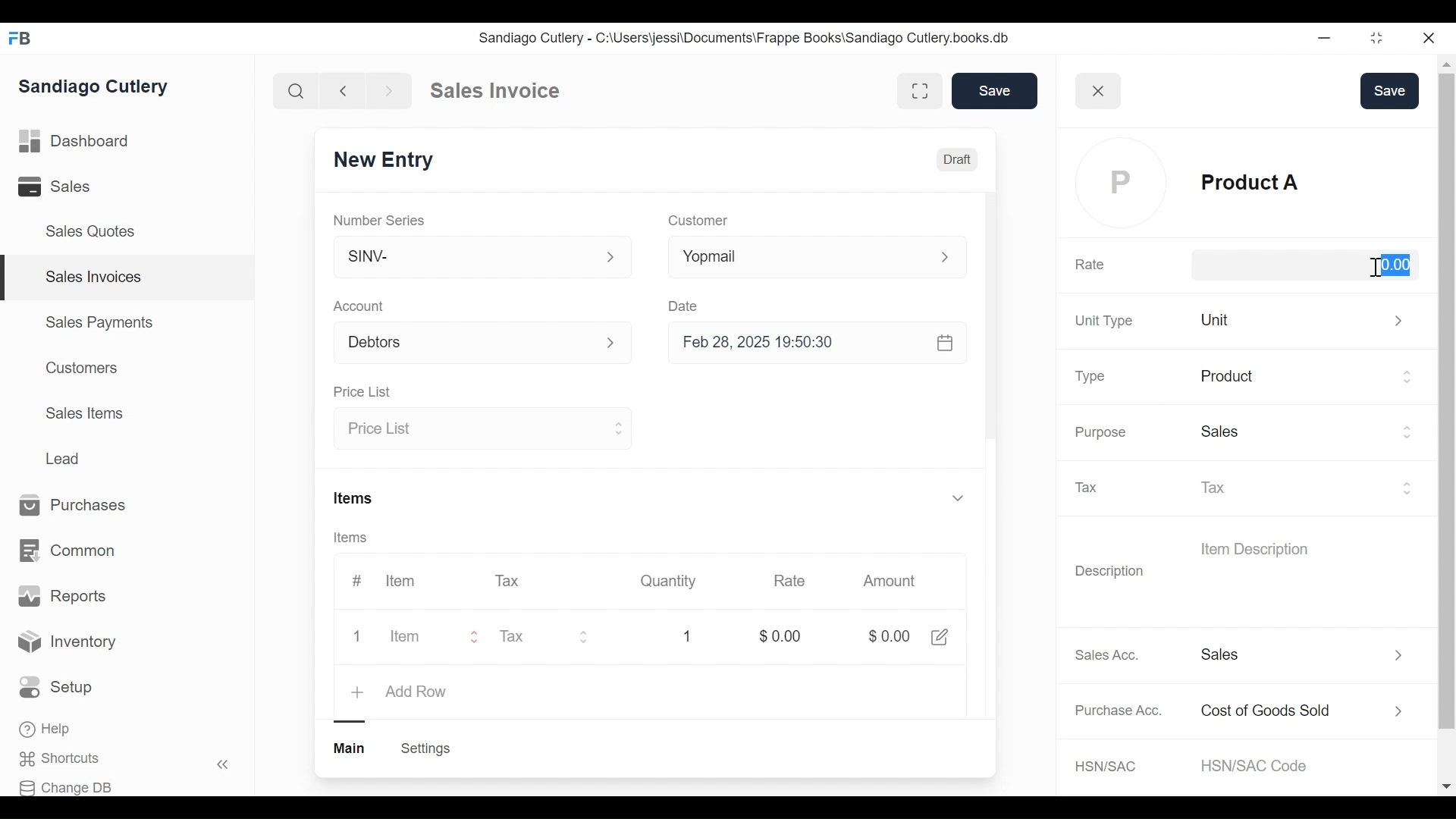 The width and height of the screenshot is (1456, 819). I want to click on close, so click(1100, 90).